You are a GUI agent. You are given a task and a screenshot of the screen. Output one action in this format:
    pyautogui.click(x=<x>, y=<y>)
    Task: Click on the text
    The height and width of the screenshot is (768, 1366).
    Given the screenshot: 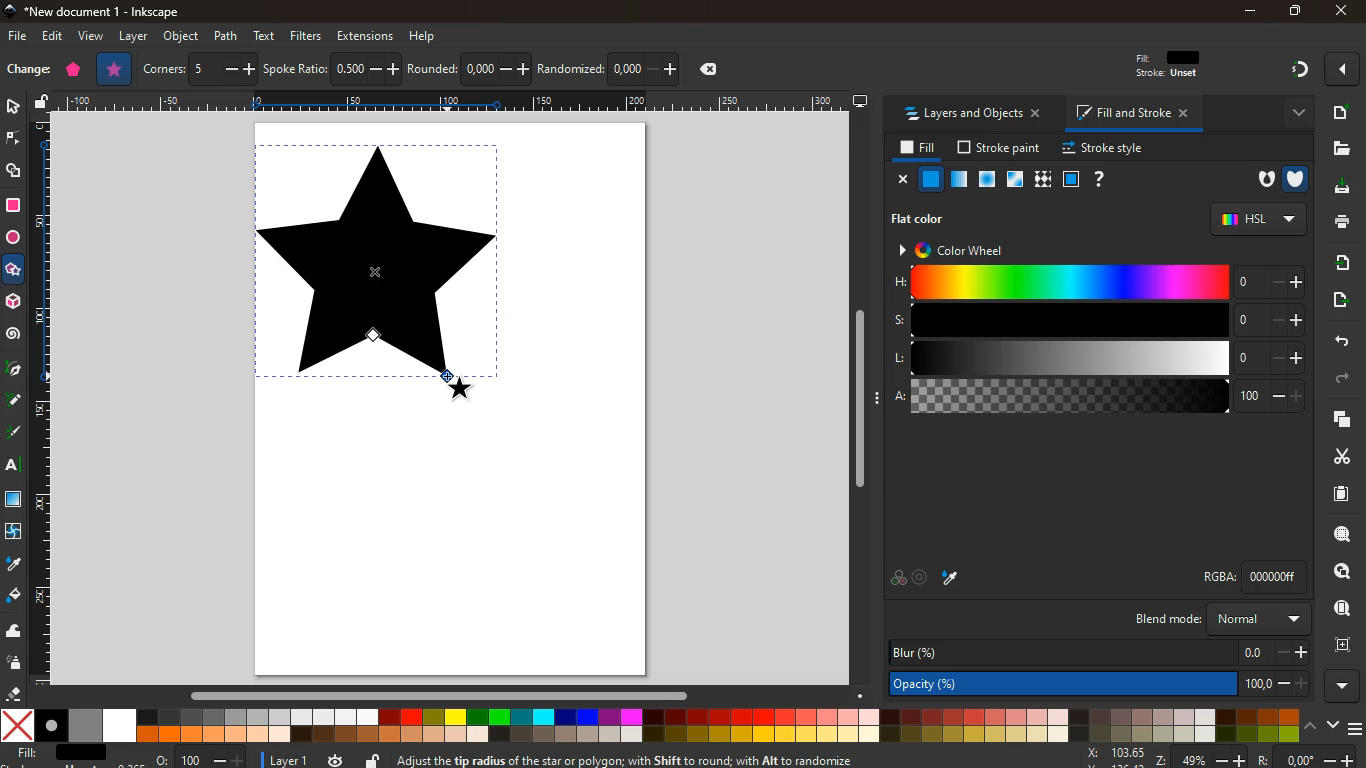 What is the action you would take?
    pyautogui.click(x=14, y=464)
    